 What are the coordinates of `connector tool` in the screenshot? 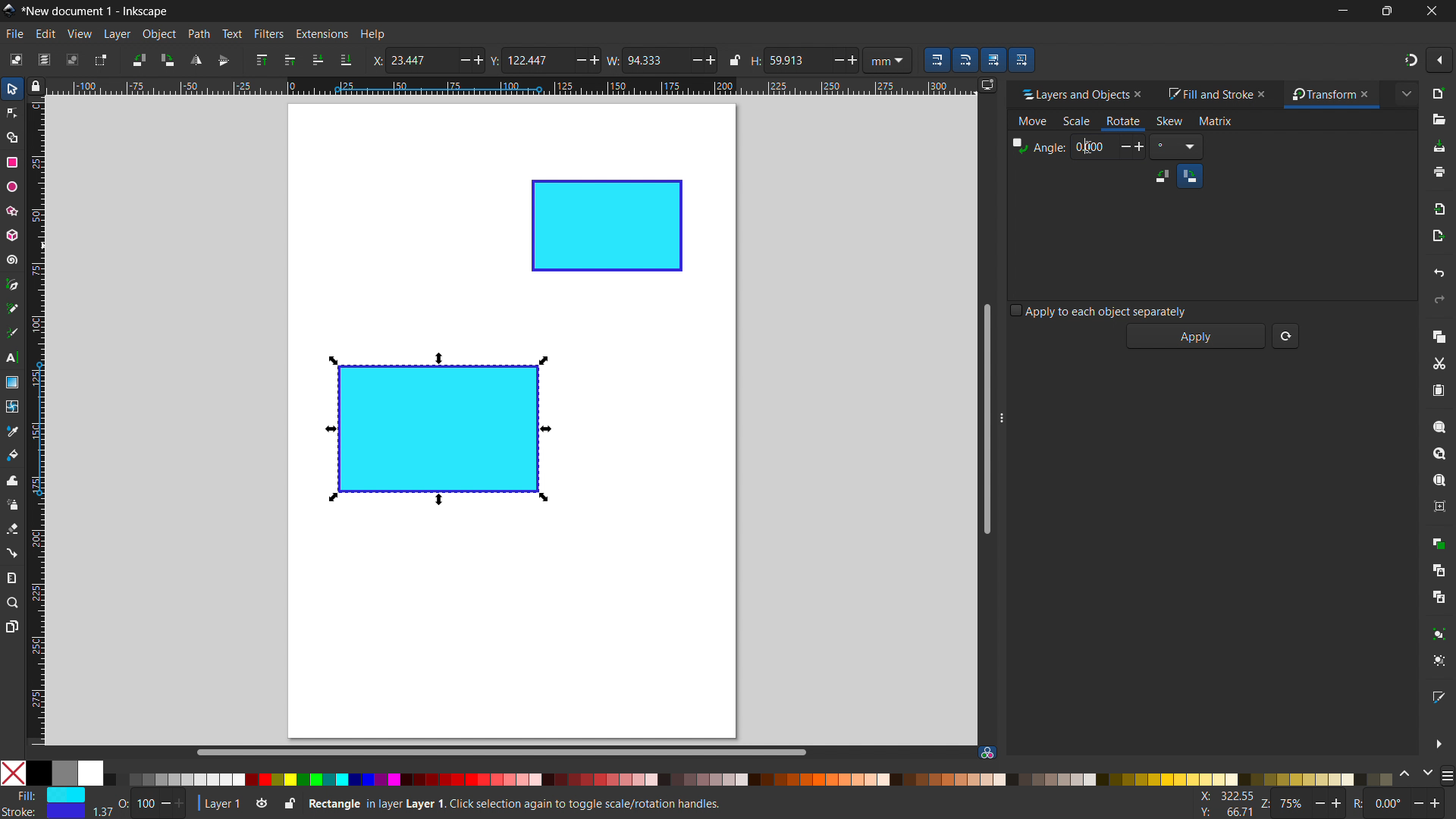 It's located at (11, 552).